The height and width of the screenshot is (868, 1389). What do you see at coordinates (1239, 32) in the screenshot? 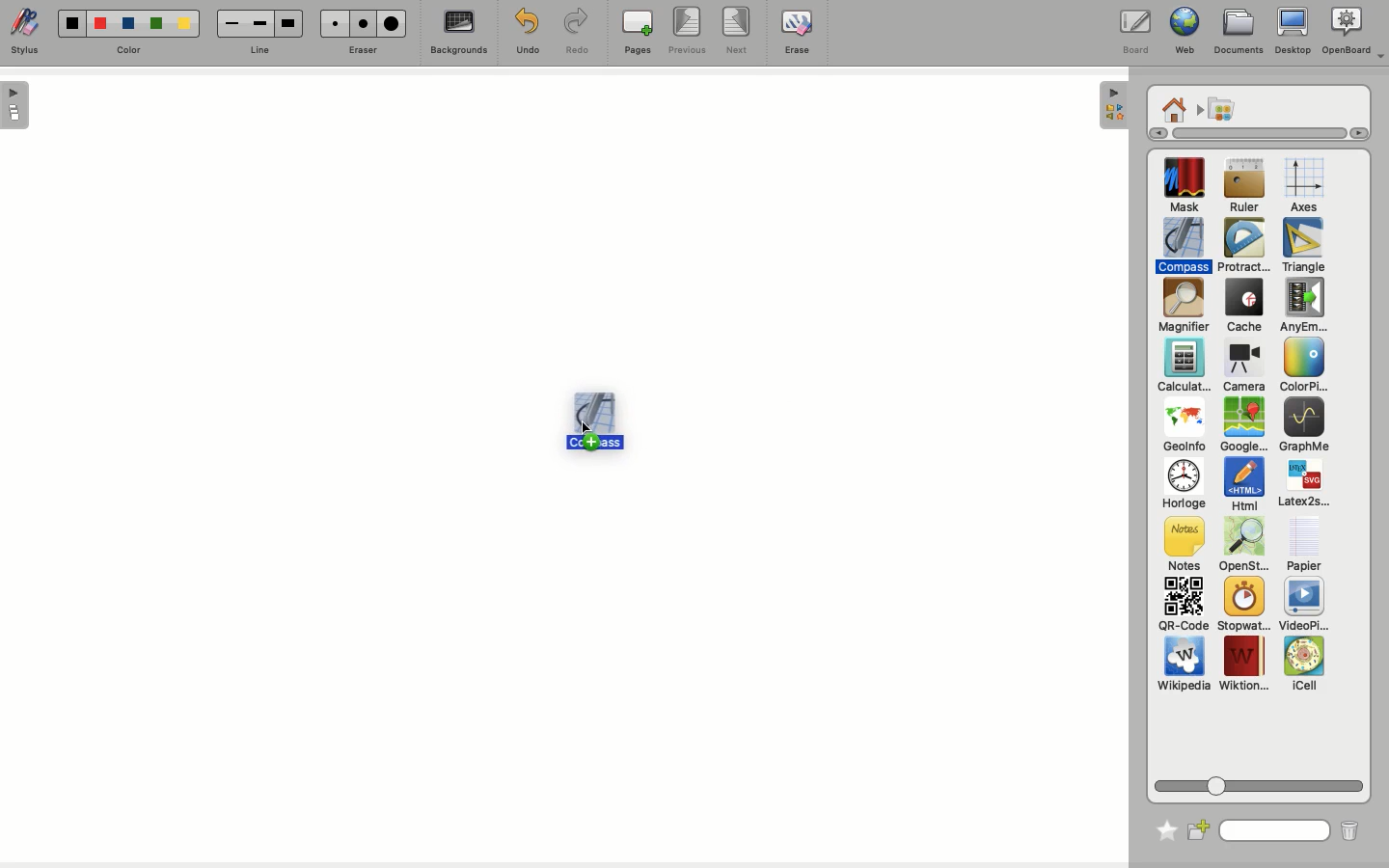
I see `Documents` at bounding box center [1239, 32].